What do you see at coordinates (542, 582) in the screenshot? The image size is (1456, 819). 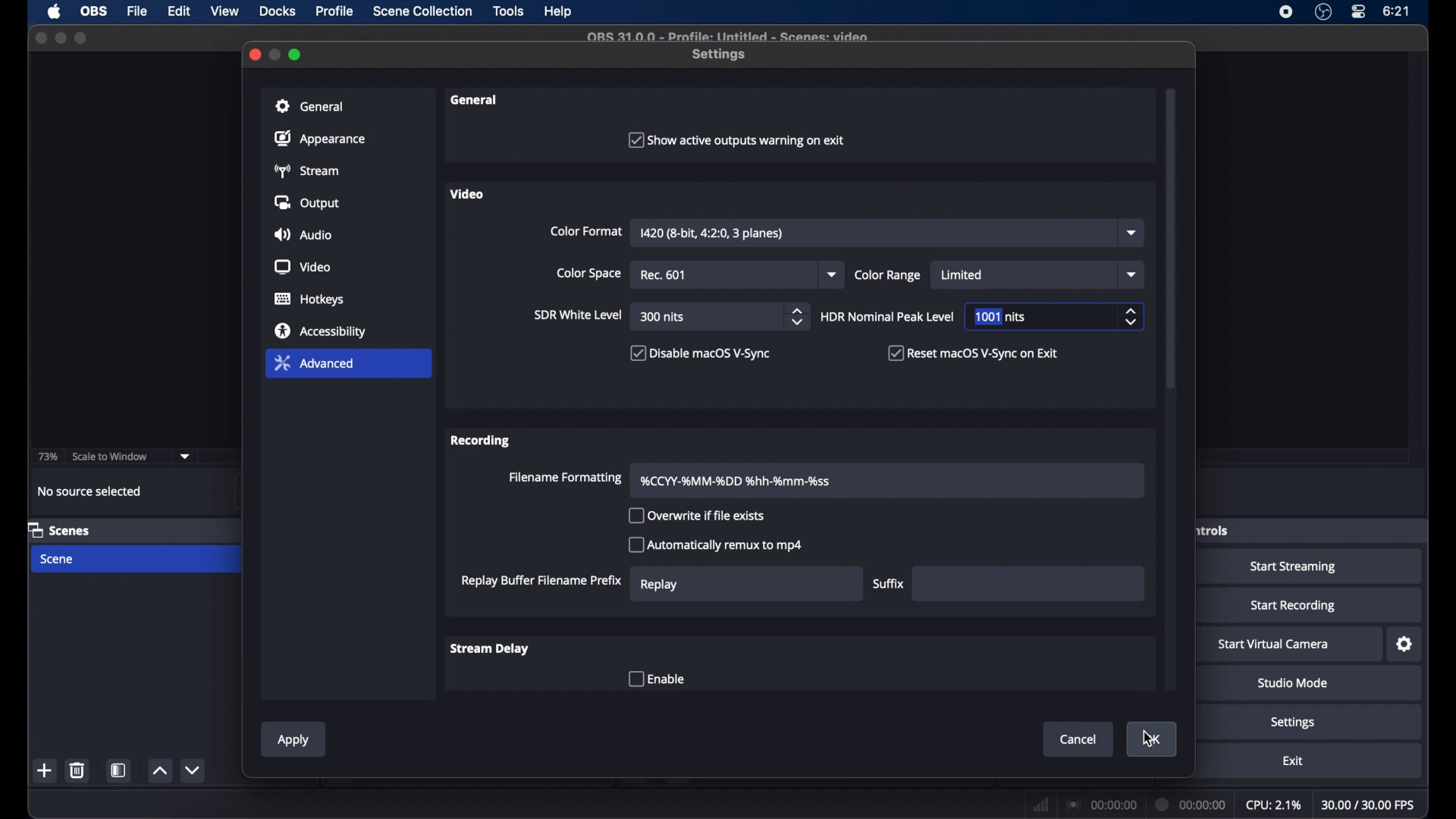 I see `replay buffer ` at bounding box center [542, 582].